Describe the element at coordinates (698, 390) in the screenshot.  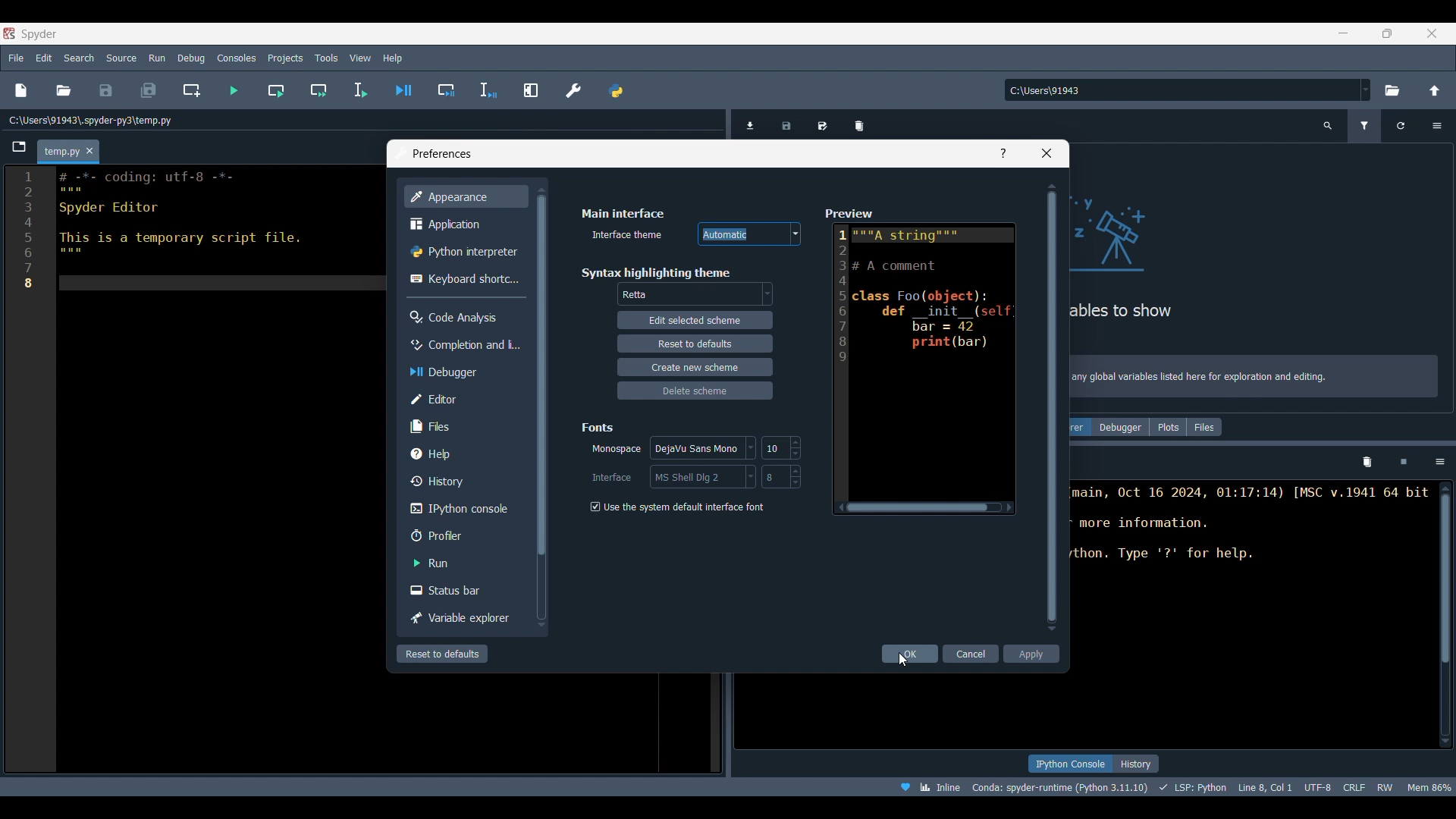
I see `delete scheme` at that location.